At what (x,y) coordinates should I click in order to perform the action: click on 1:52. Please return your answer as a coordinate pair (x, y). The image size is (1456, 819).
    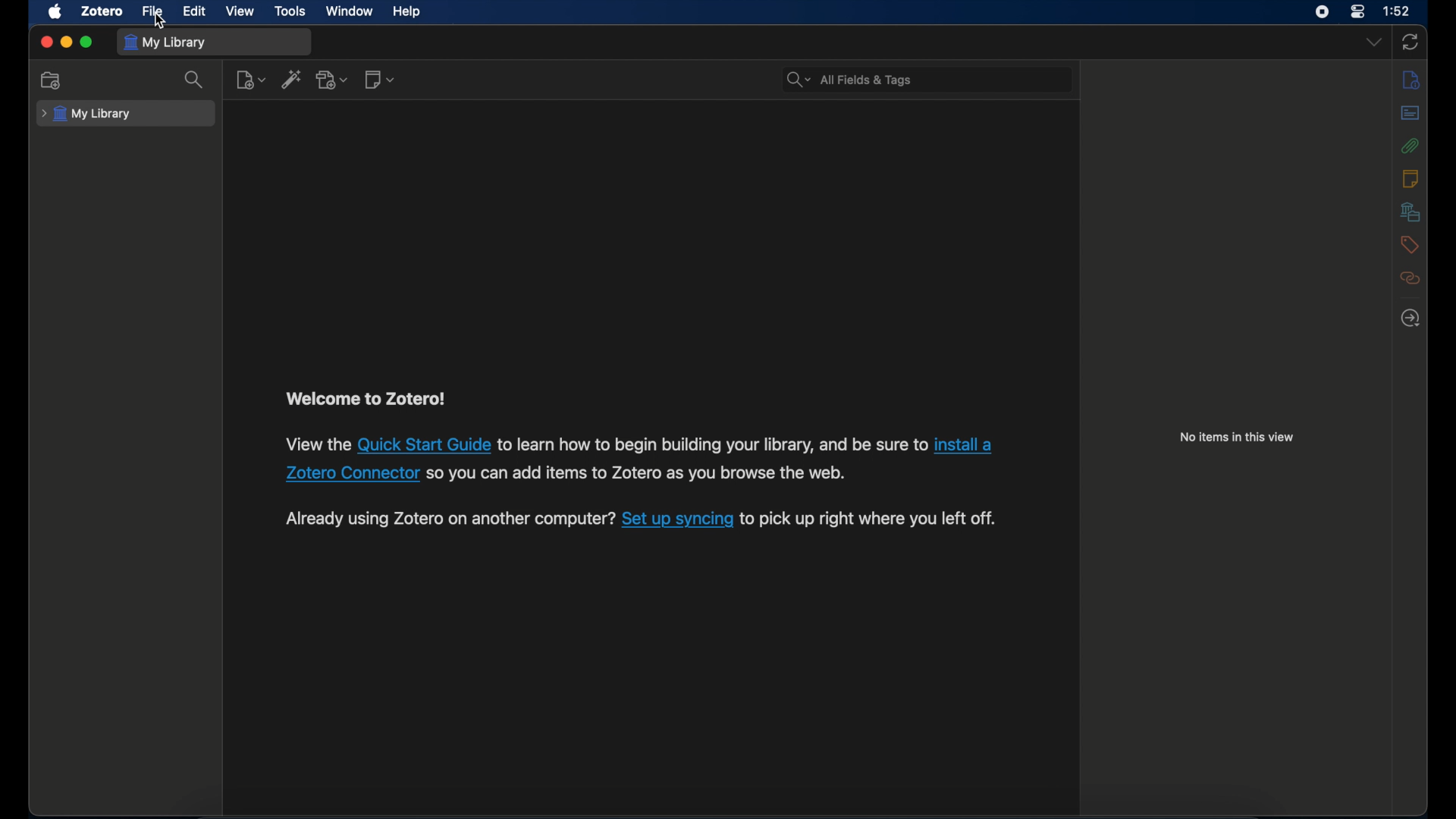
    Looking at the image, I should click on (1398, 11).